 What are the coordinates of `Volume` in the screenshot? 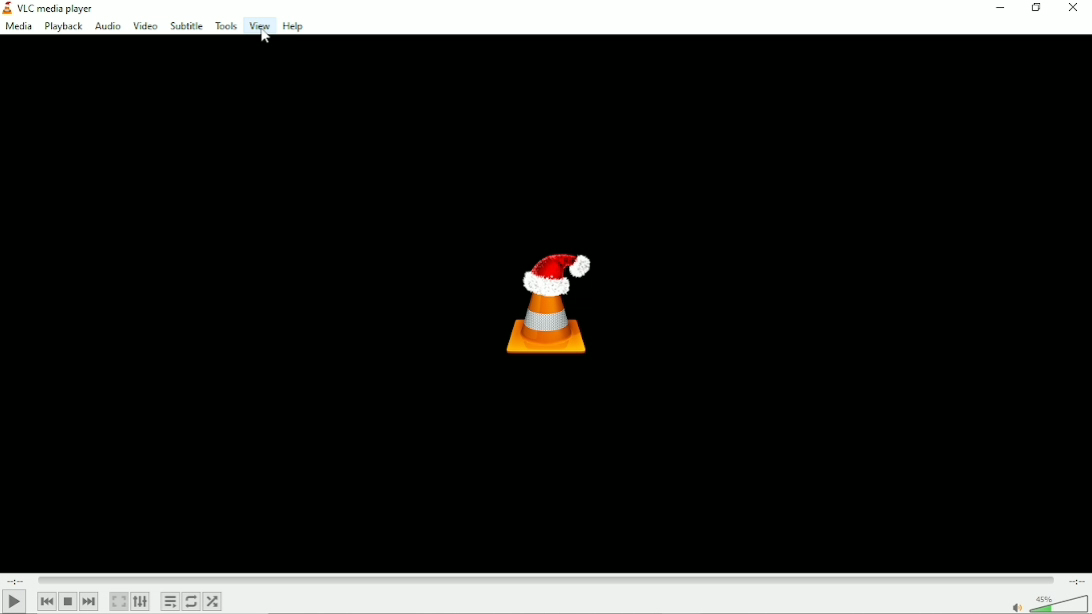 It's located at (1046, 603).